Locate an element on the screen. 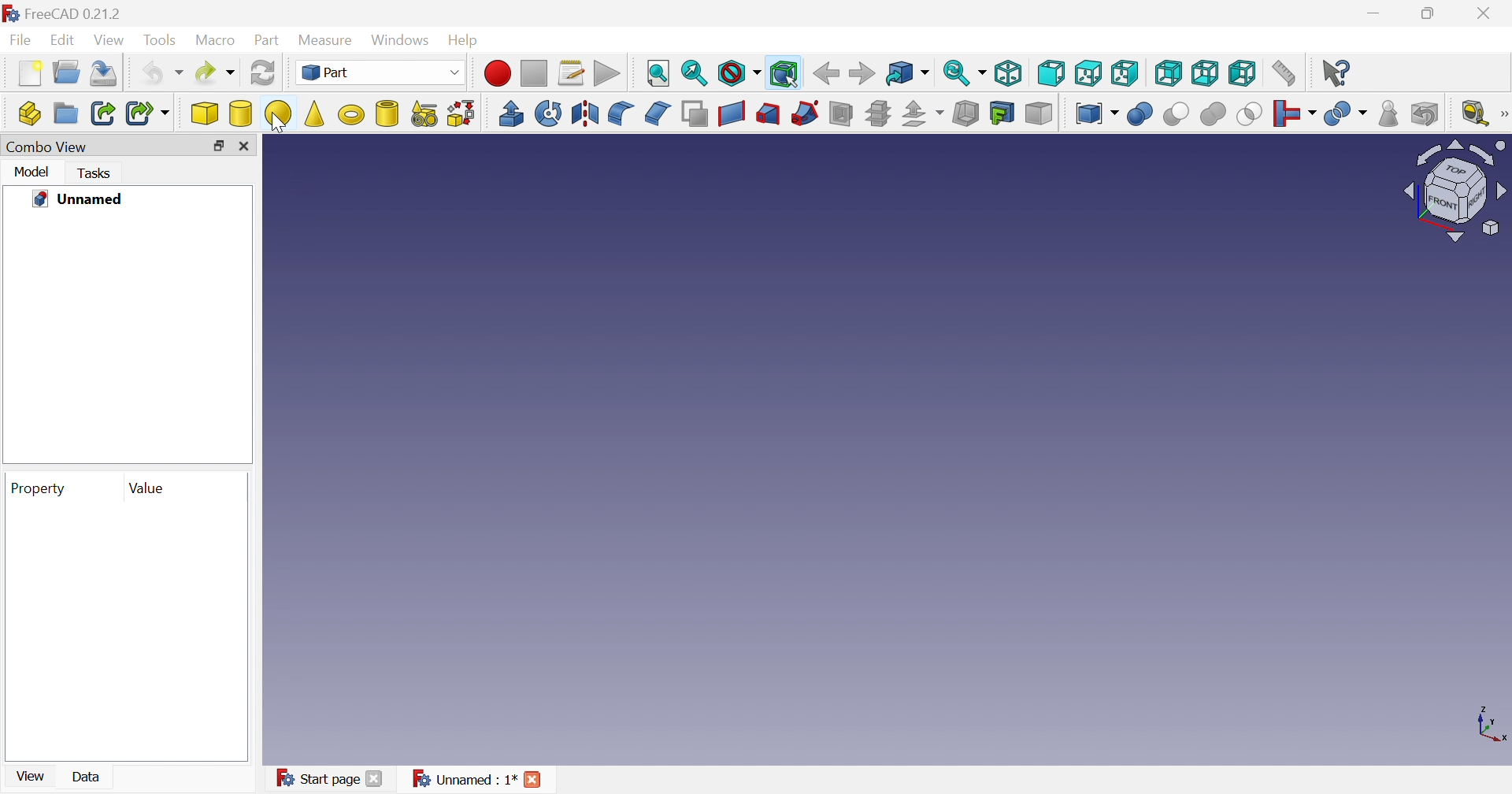  New is located at coordinates (29, 72).